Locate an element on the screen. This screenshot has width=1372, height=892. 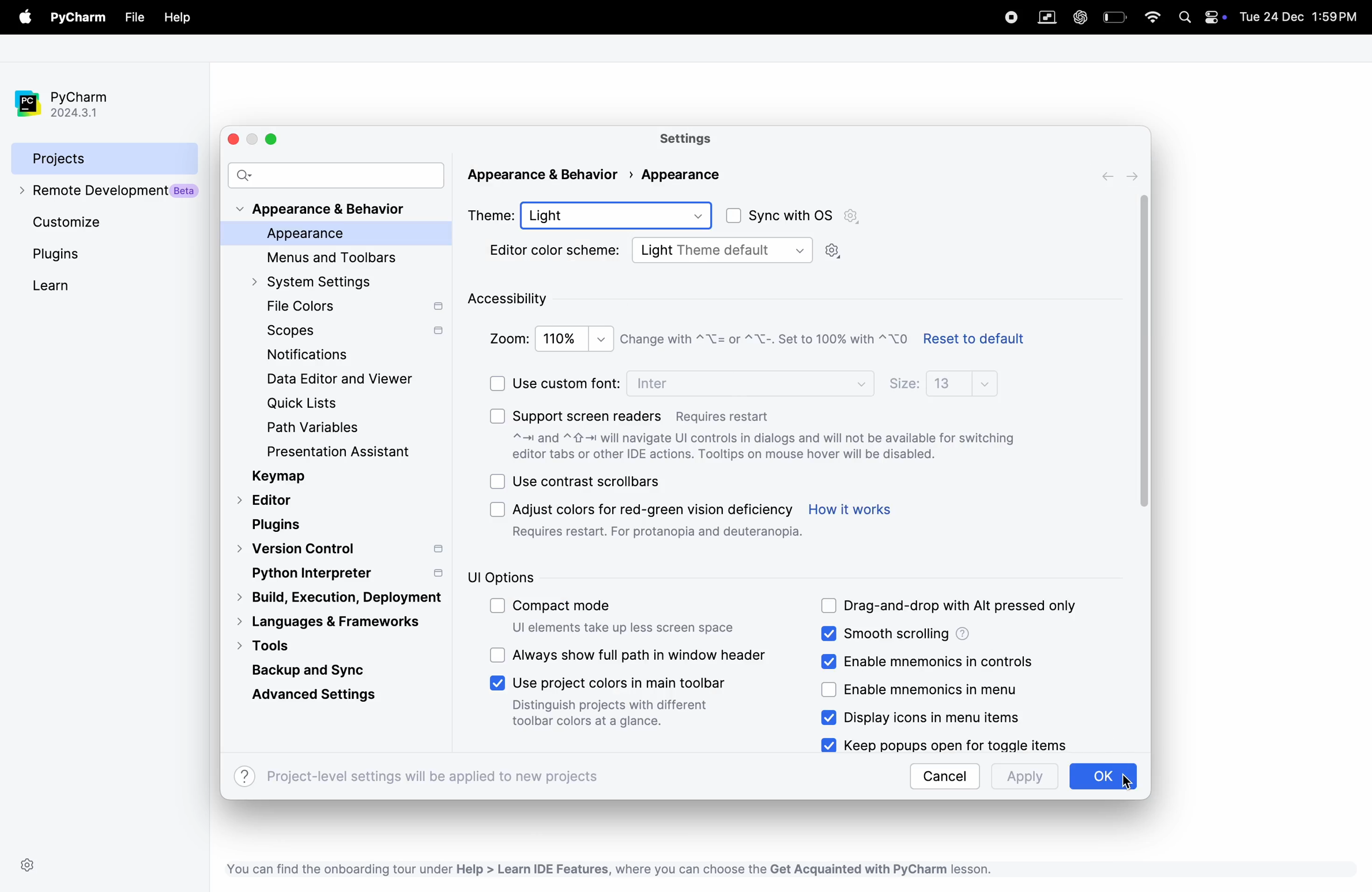
date editor and viewer is located at coordinates (339, 382).